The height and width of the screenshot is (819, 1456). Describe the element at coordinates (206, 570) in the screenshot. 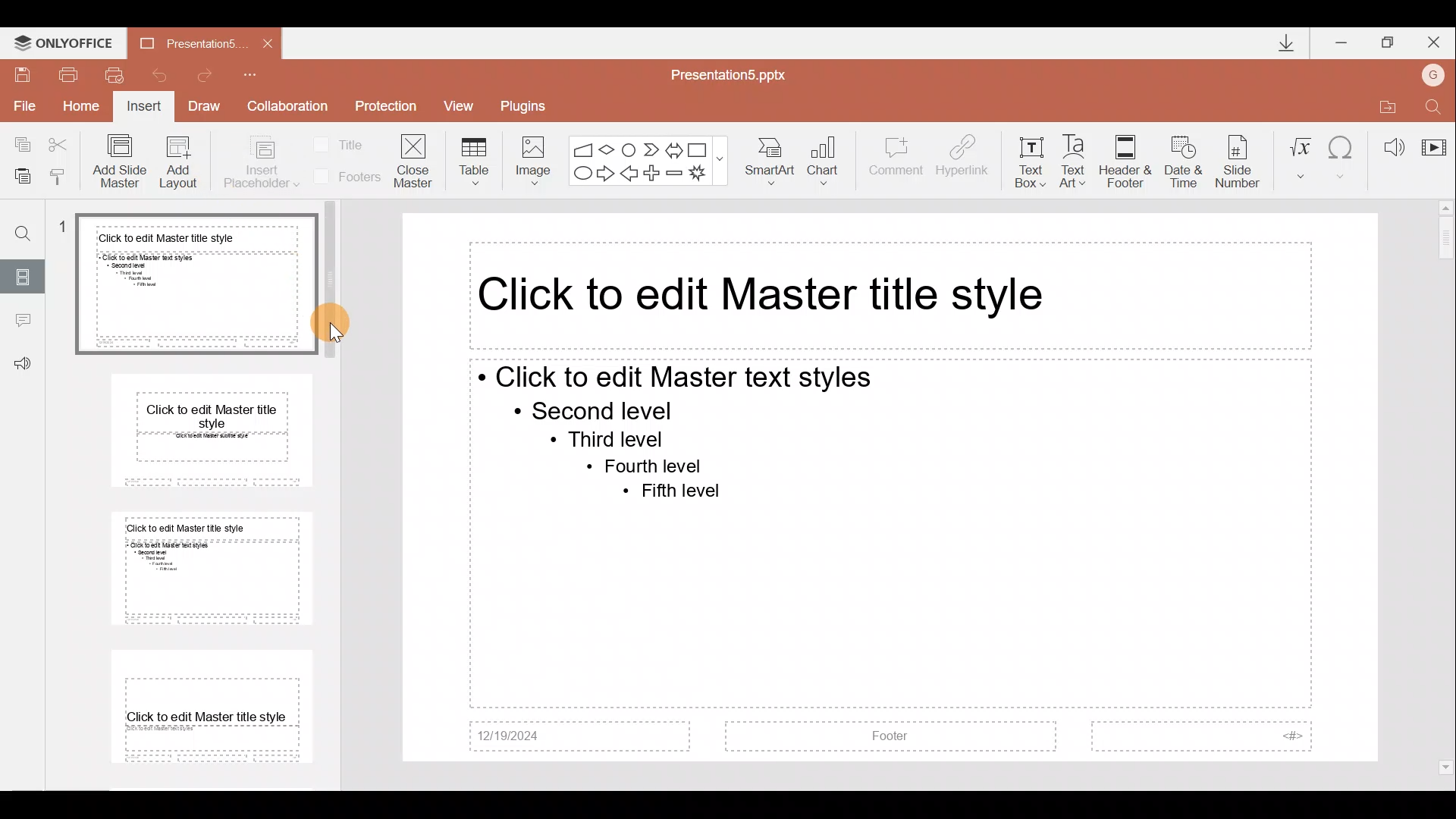

I see `Slide 3` at that location.